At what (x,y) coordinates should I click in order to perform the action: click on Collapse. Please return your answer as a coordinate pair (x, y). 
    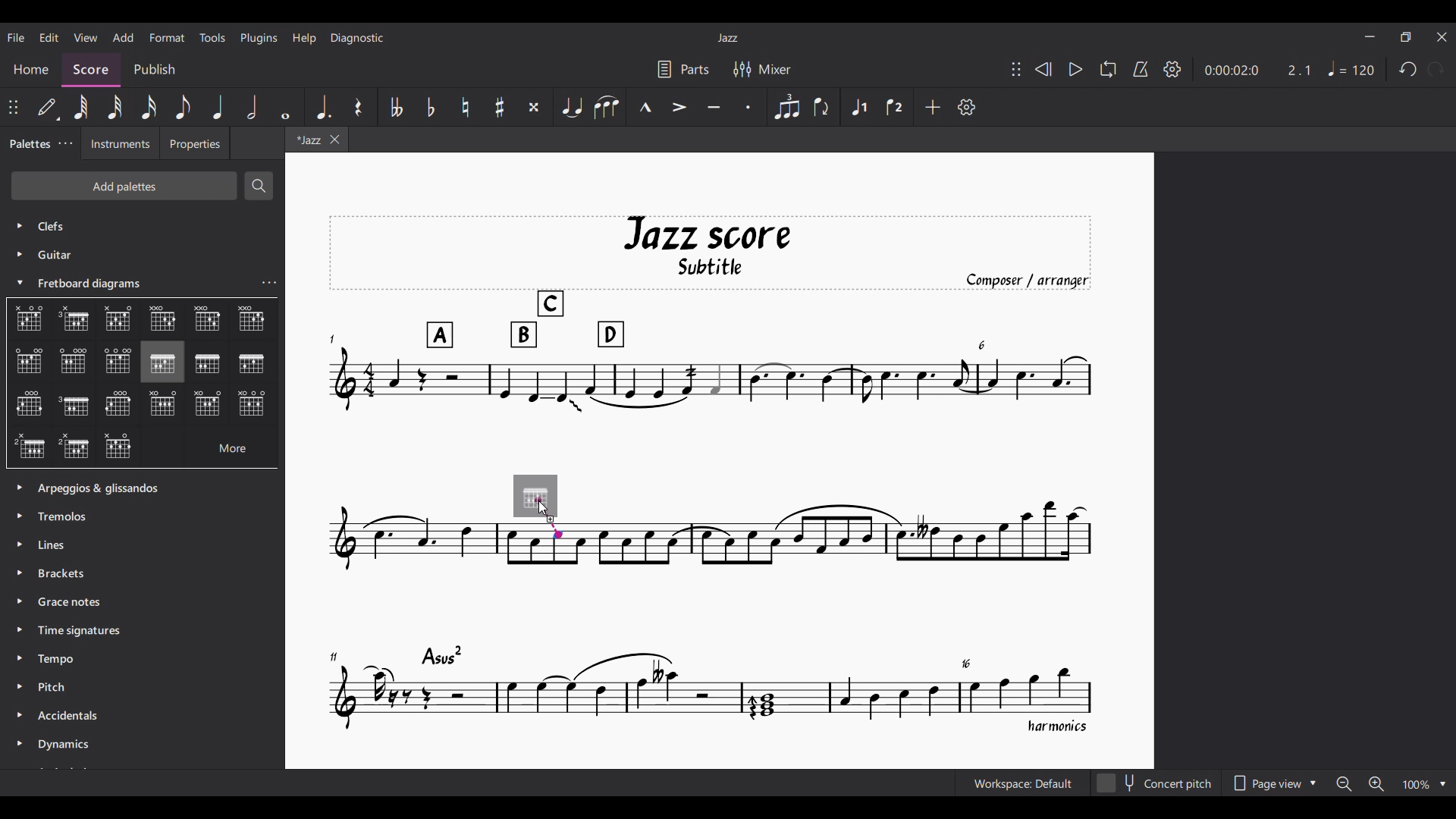
    Looking at the image, I should click on (20, 281).